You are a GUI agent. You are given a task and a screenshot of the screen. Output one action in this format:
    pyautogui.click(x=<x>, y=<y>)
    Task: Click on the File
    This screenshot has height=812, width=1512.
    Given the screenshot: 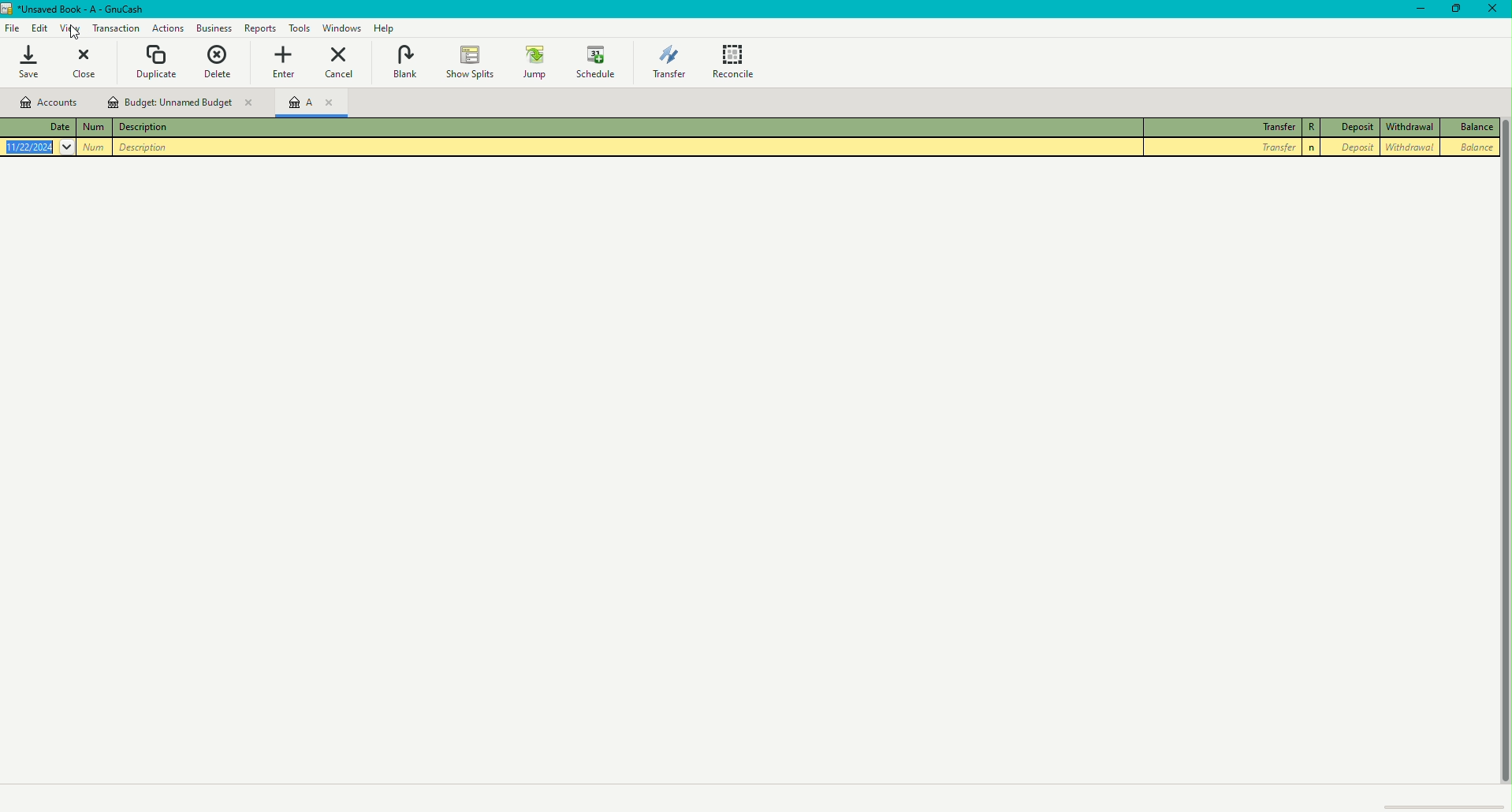 What is the action you would take?
    pyautogui.click(x=12, y=28)
    